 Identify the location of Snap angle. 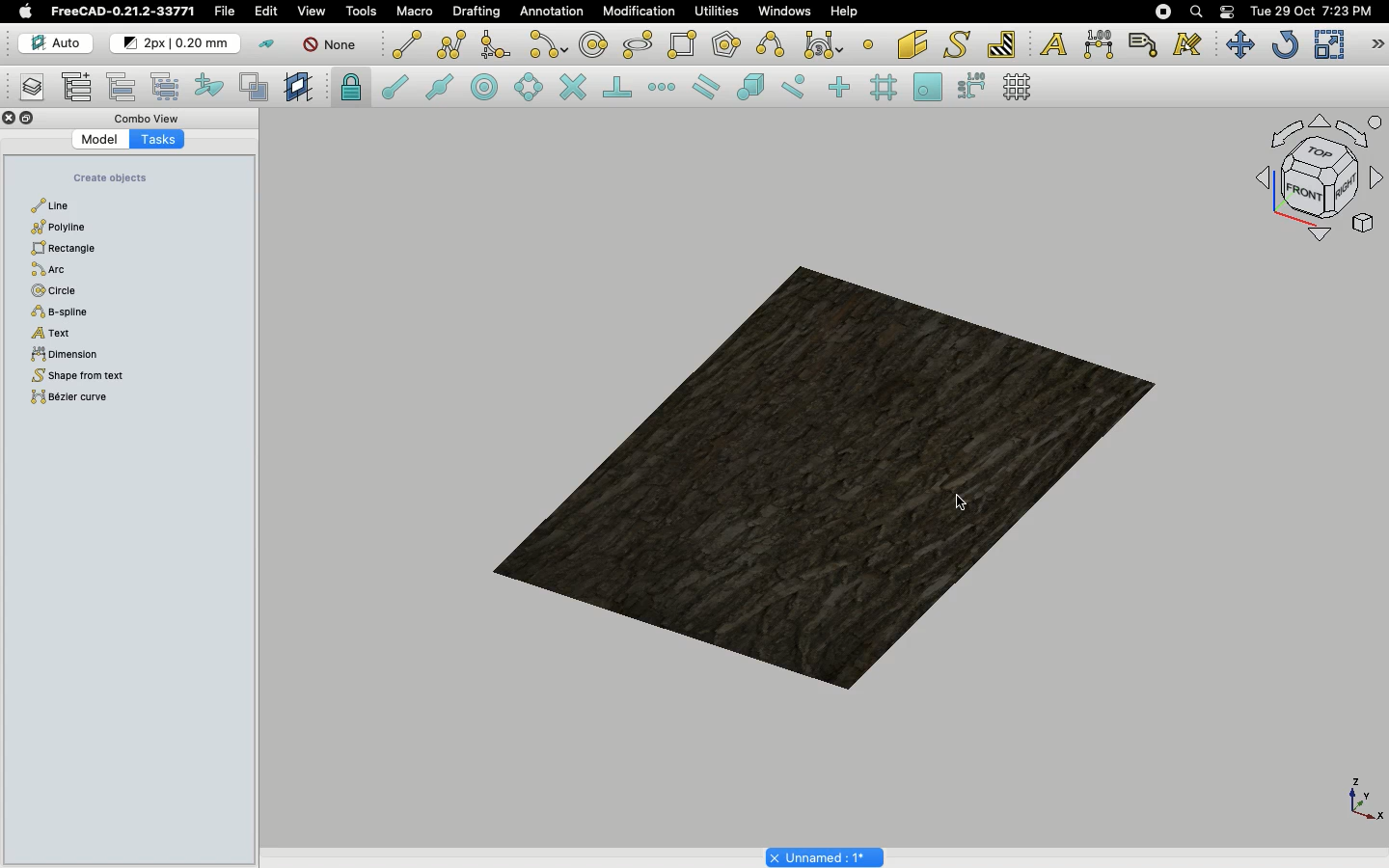
(524, 86).